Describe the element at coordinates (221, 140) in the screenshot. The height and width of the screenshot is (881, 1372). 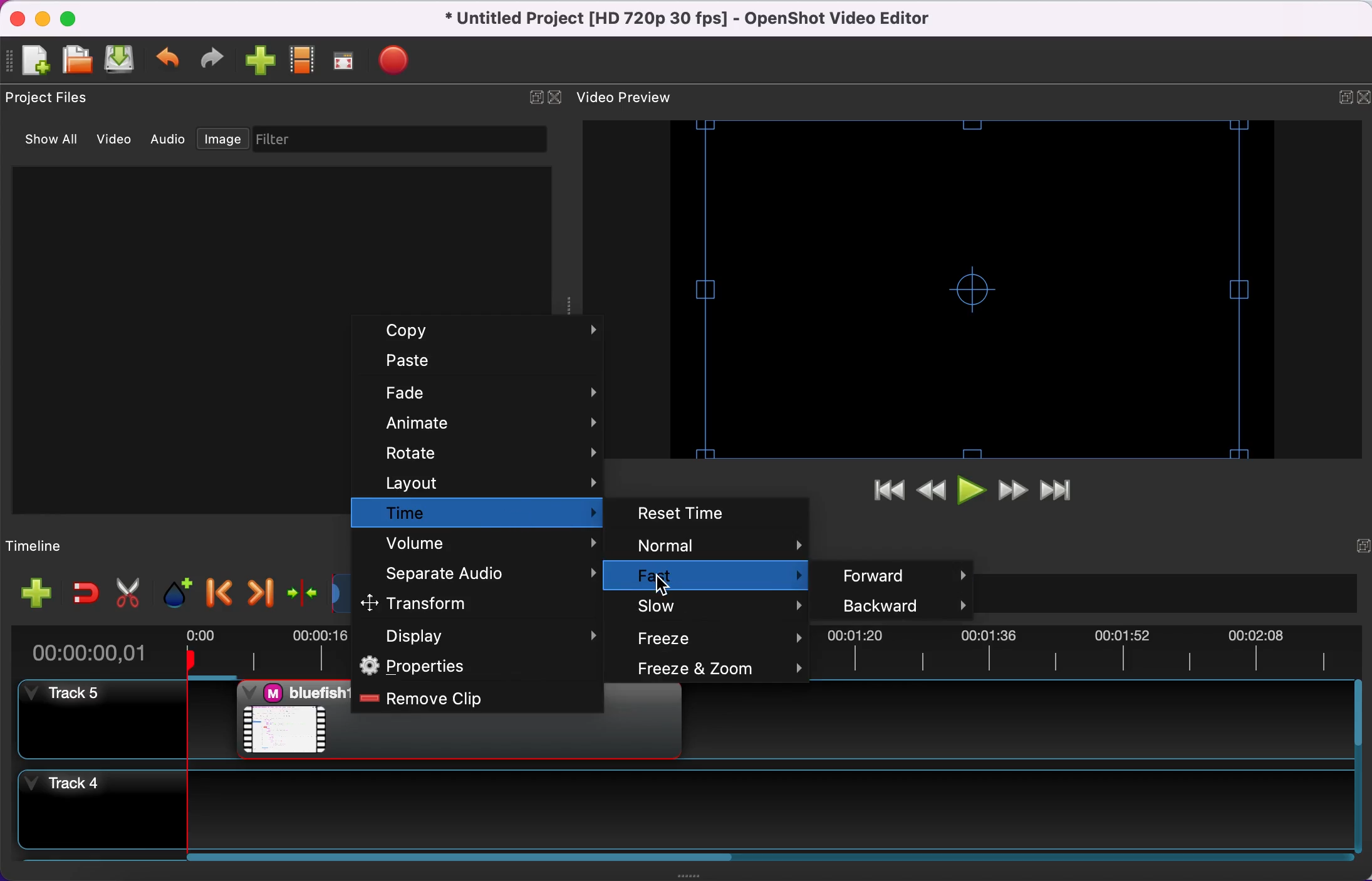
I see `image` at that location.